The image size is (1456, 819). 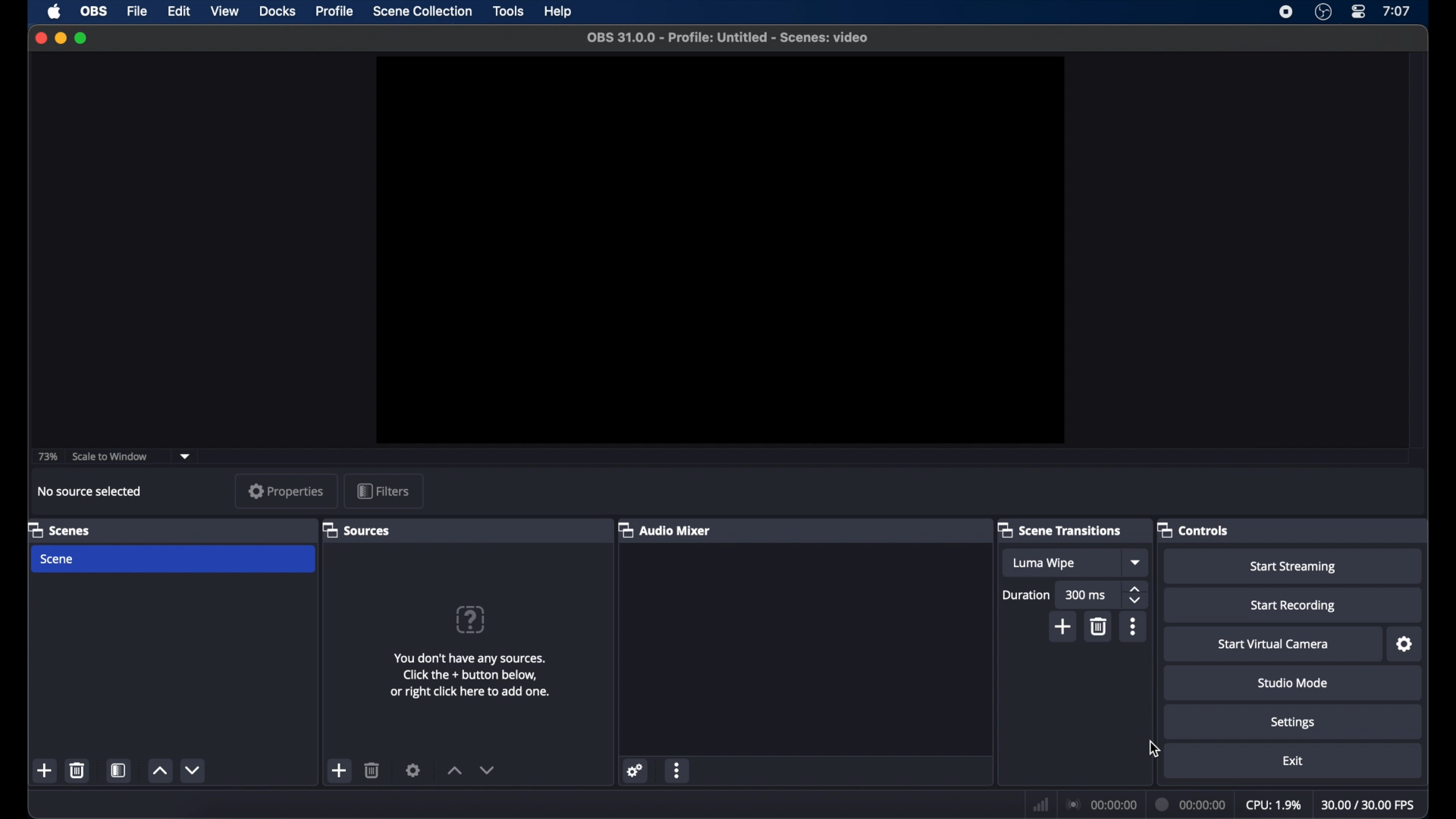 What do you see at coordinates (160, 771) in the screenshot?
I see `increment` at bounding box center [160, 771].